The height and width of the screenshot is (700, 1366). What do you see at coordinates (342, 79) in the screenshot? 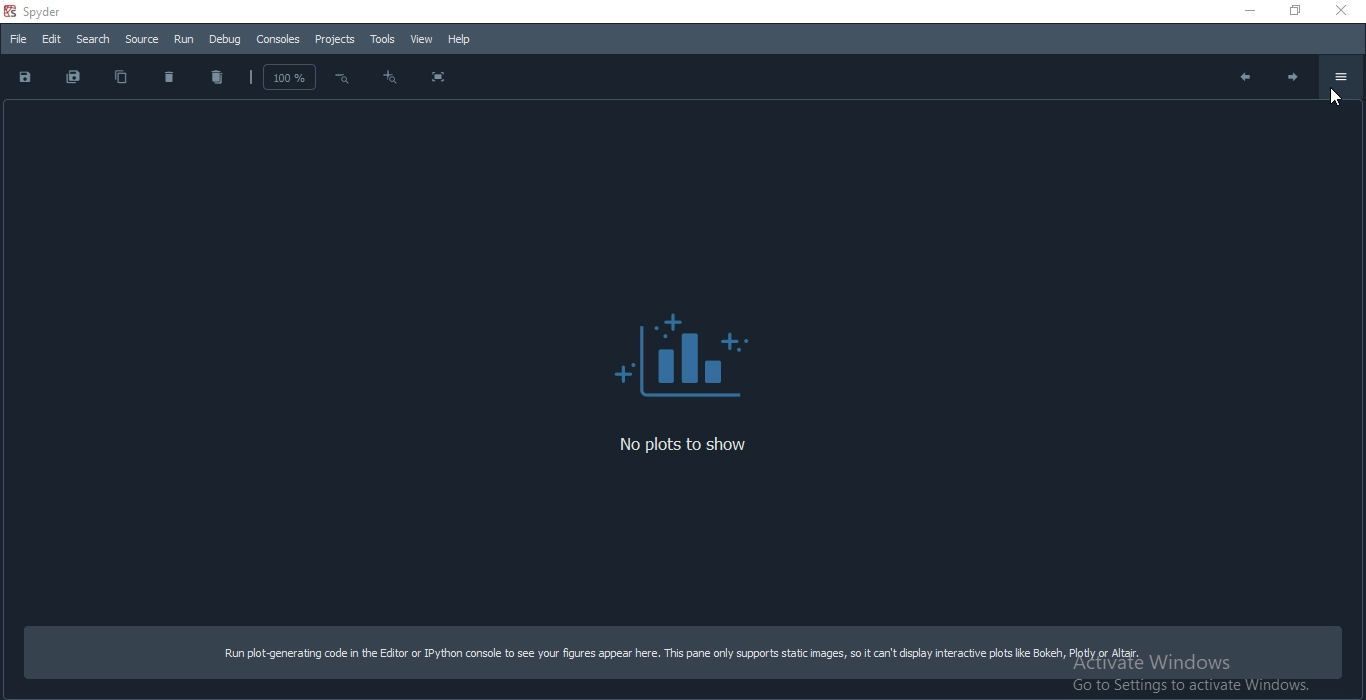
I see `Zoom in` at bounding box center [342, 79].